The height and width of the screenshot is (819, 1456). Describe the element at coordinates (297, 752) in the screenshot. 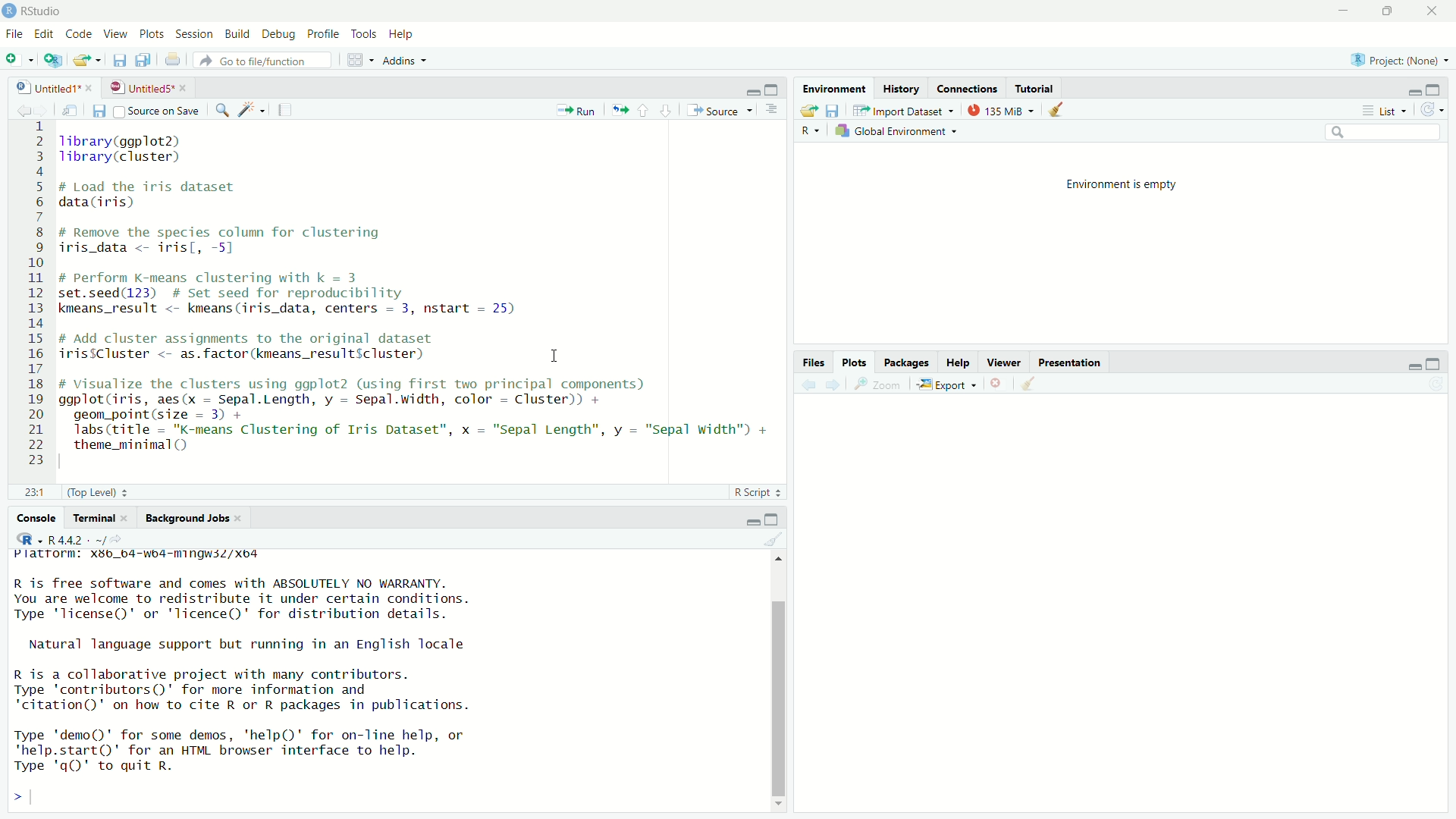

I see `Type 'demo()' for some demos, 'help()' for on-Tine help, or
"help.start()' for an HTML browser interface to help.
Type 'q()' to quit R.` at that location.